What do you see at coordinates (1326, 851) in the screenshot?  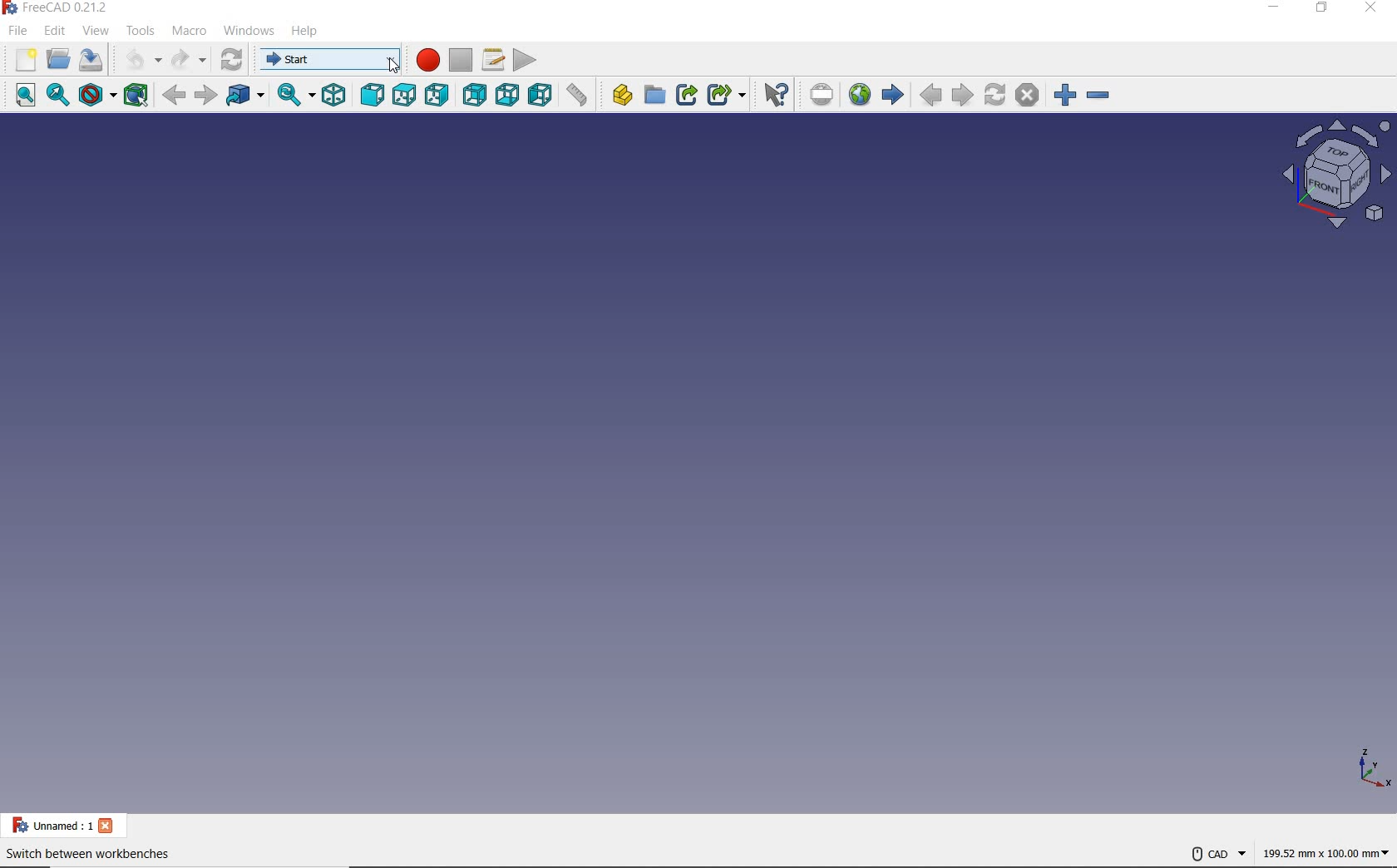 I see `MEASUREMENT` at bounding box center [1326, 851].